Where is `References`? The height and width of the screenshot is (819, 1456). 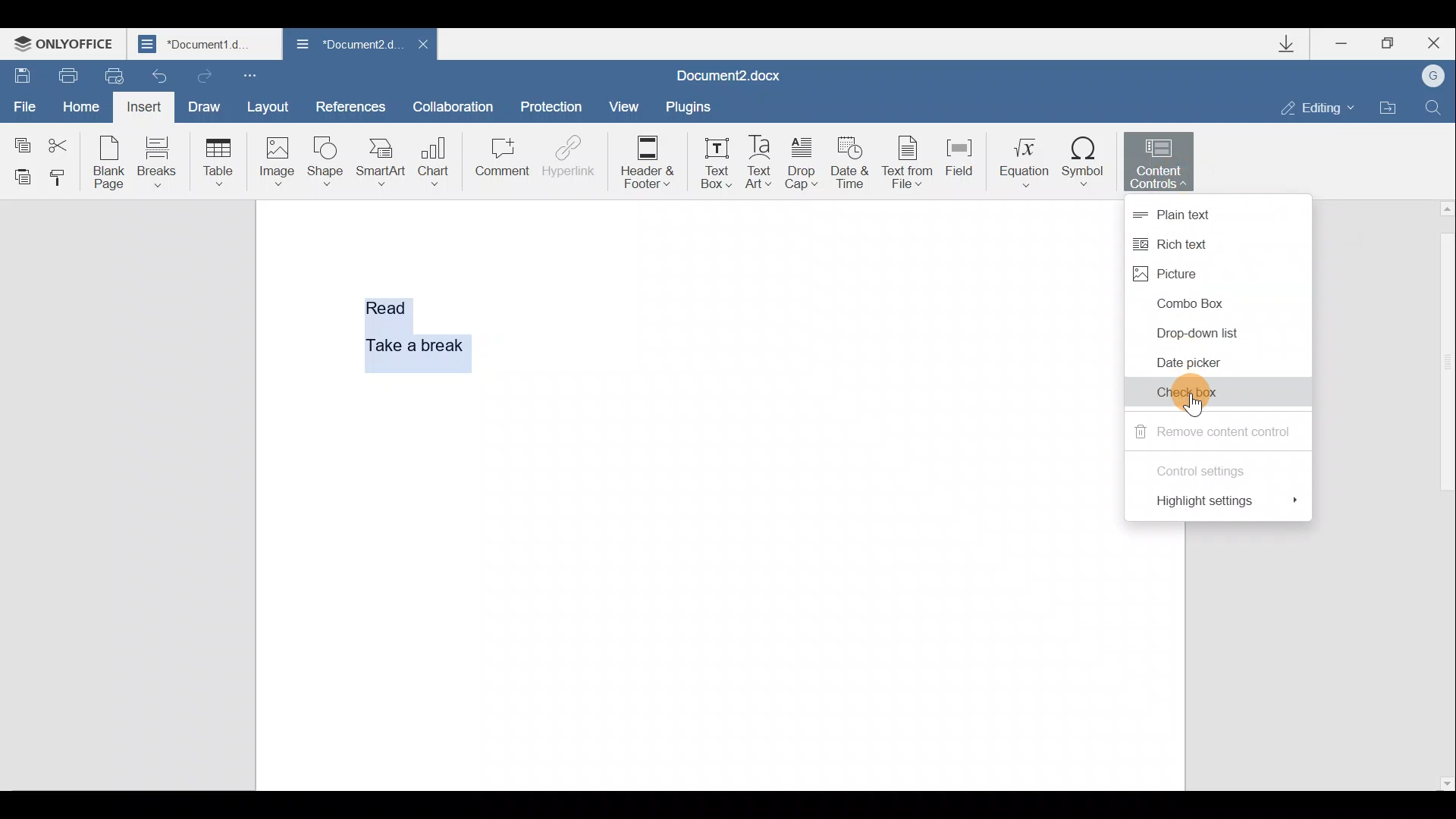
References is located at coordinates (351, 105).